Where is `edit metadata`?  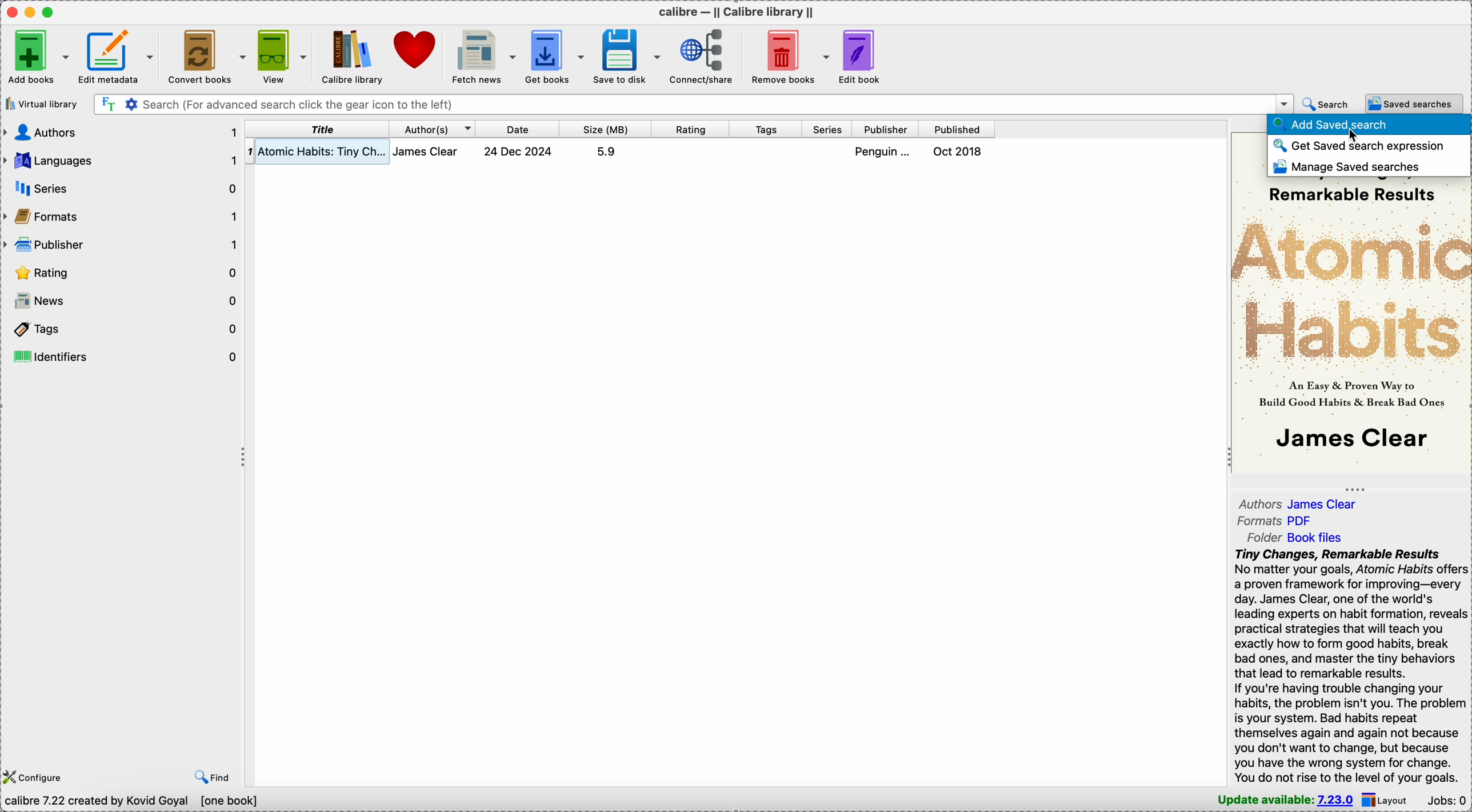
edit metadata is located at coordinates (118, 54).